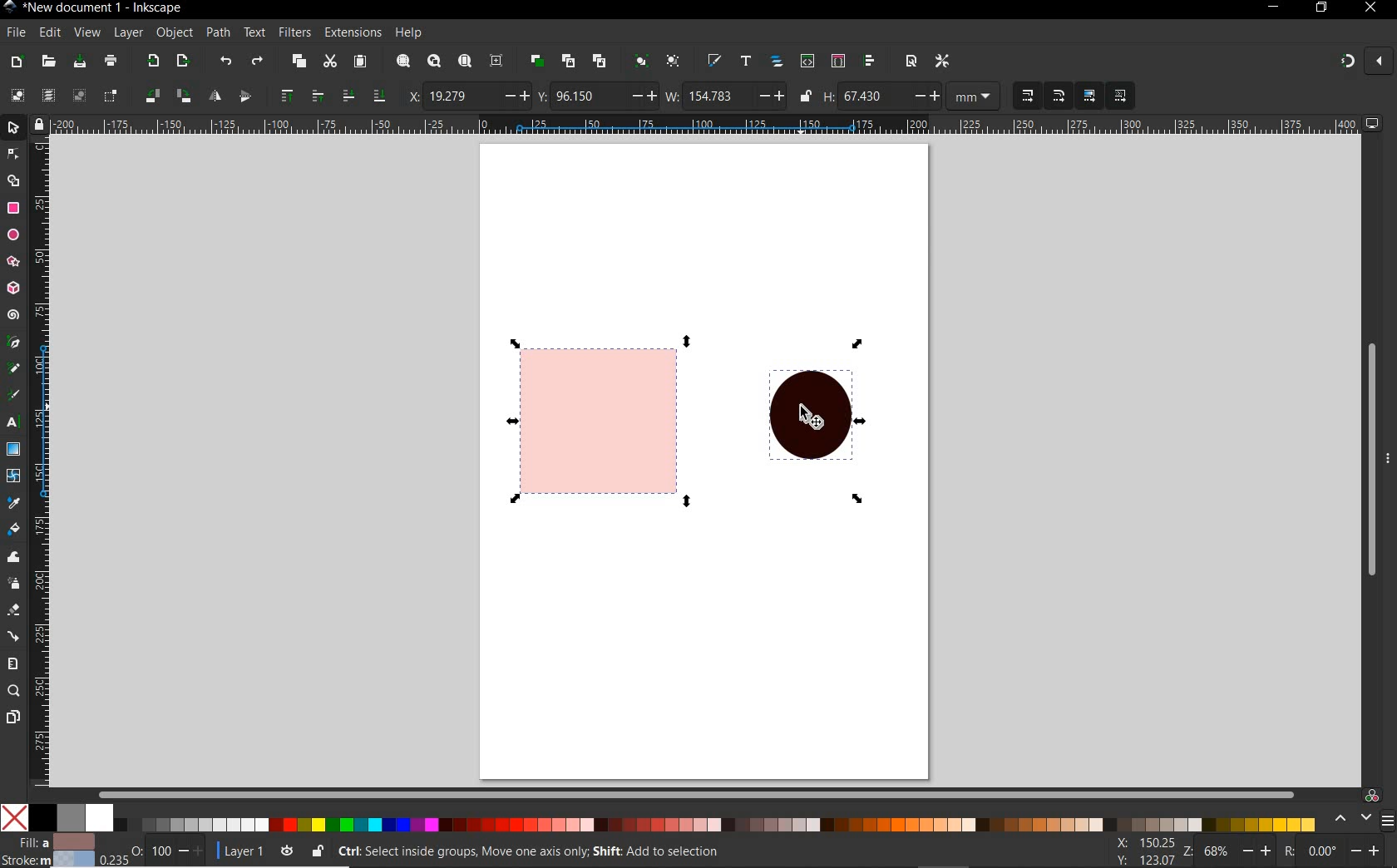 The width and height of the screenshot is (1397, 868). What do you see at coordinates (1150, 852) in the screenshot?
I see `xy coordinates` at bounding box center [1150, 852].